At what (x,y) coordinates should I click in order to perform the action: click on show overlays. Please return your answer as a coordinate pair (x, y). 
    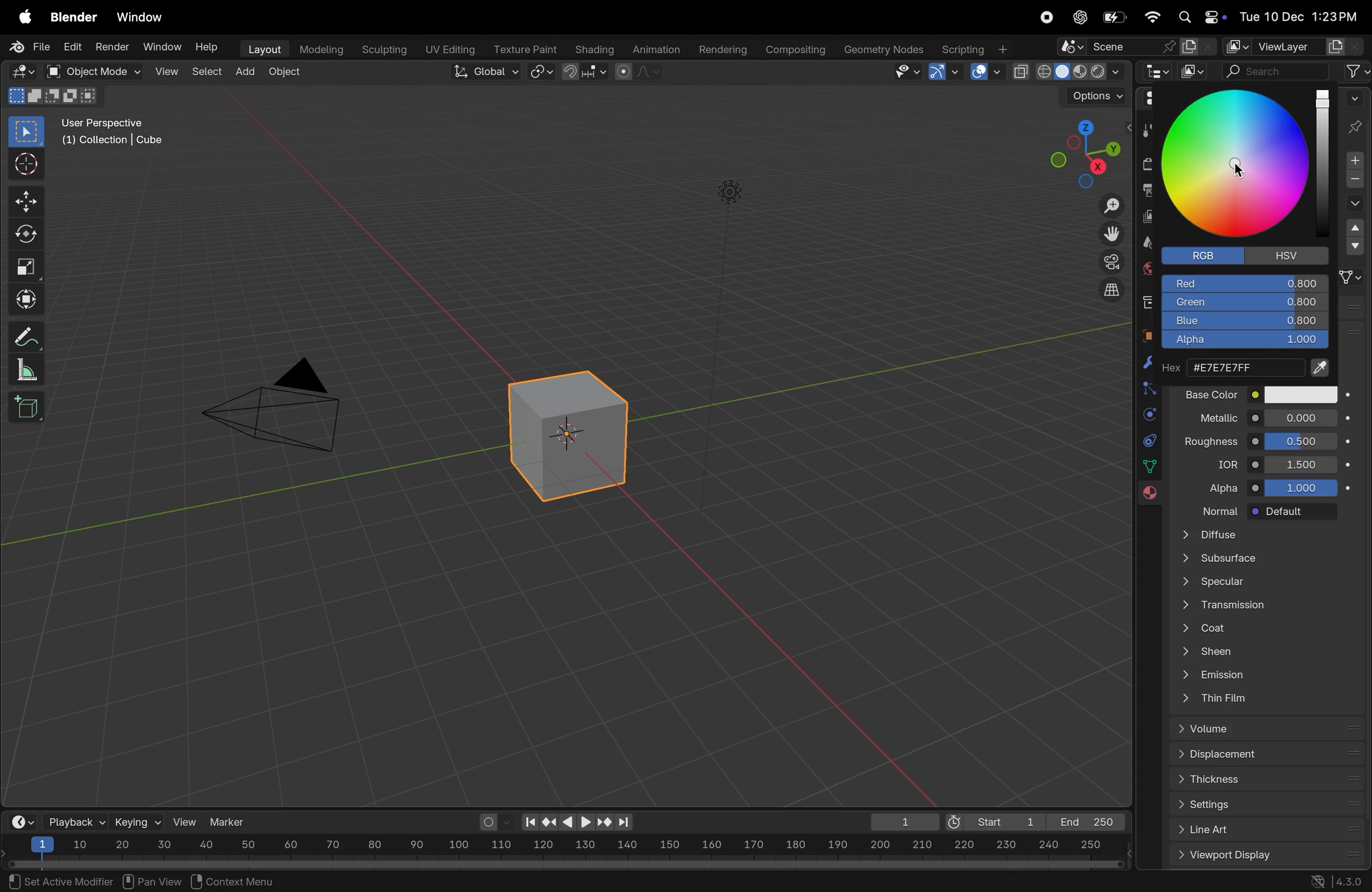
    Looking at the image, I should click on (985, 72).